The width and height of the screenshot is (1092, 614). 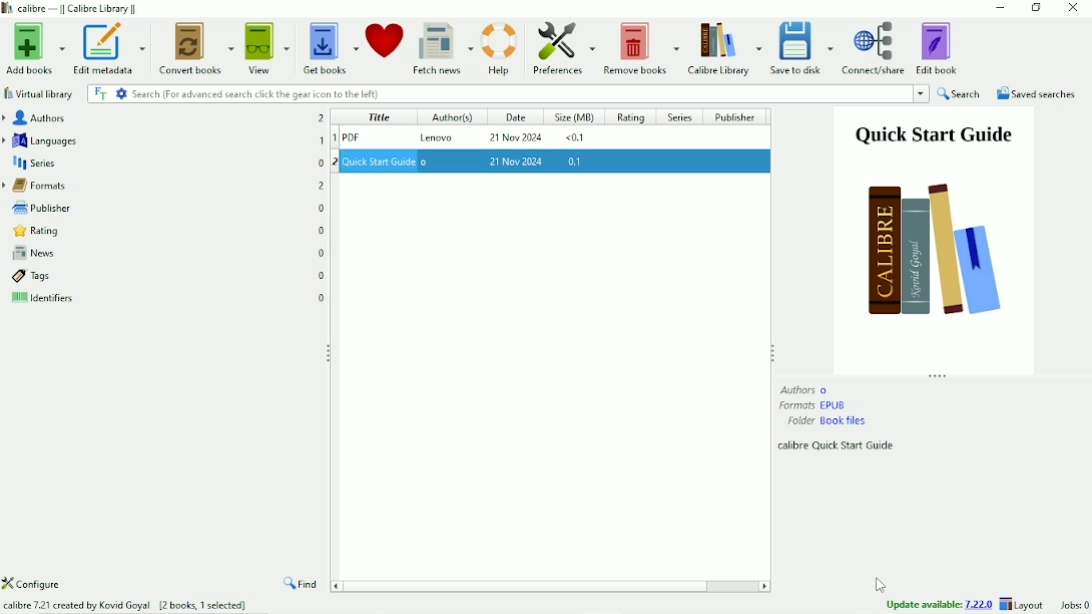 What do you see at coordinates (631, 118) in the screenshot?
I see `Rating` at bounding box center [631, 118].